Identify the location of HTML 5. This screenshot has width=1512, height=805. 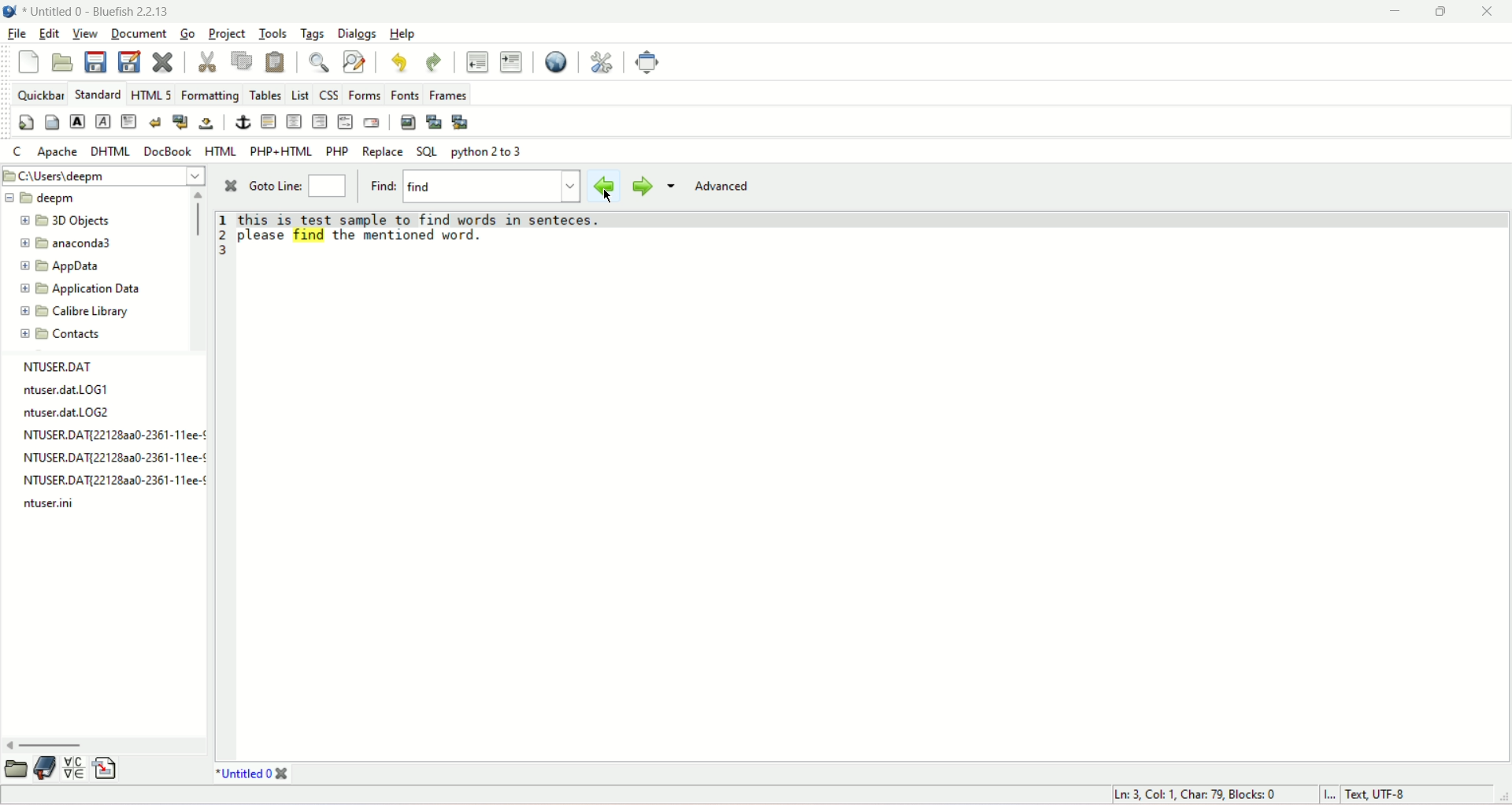
(151, 95).